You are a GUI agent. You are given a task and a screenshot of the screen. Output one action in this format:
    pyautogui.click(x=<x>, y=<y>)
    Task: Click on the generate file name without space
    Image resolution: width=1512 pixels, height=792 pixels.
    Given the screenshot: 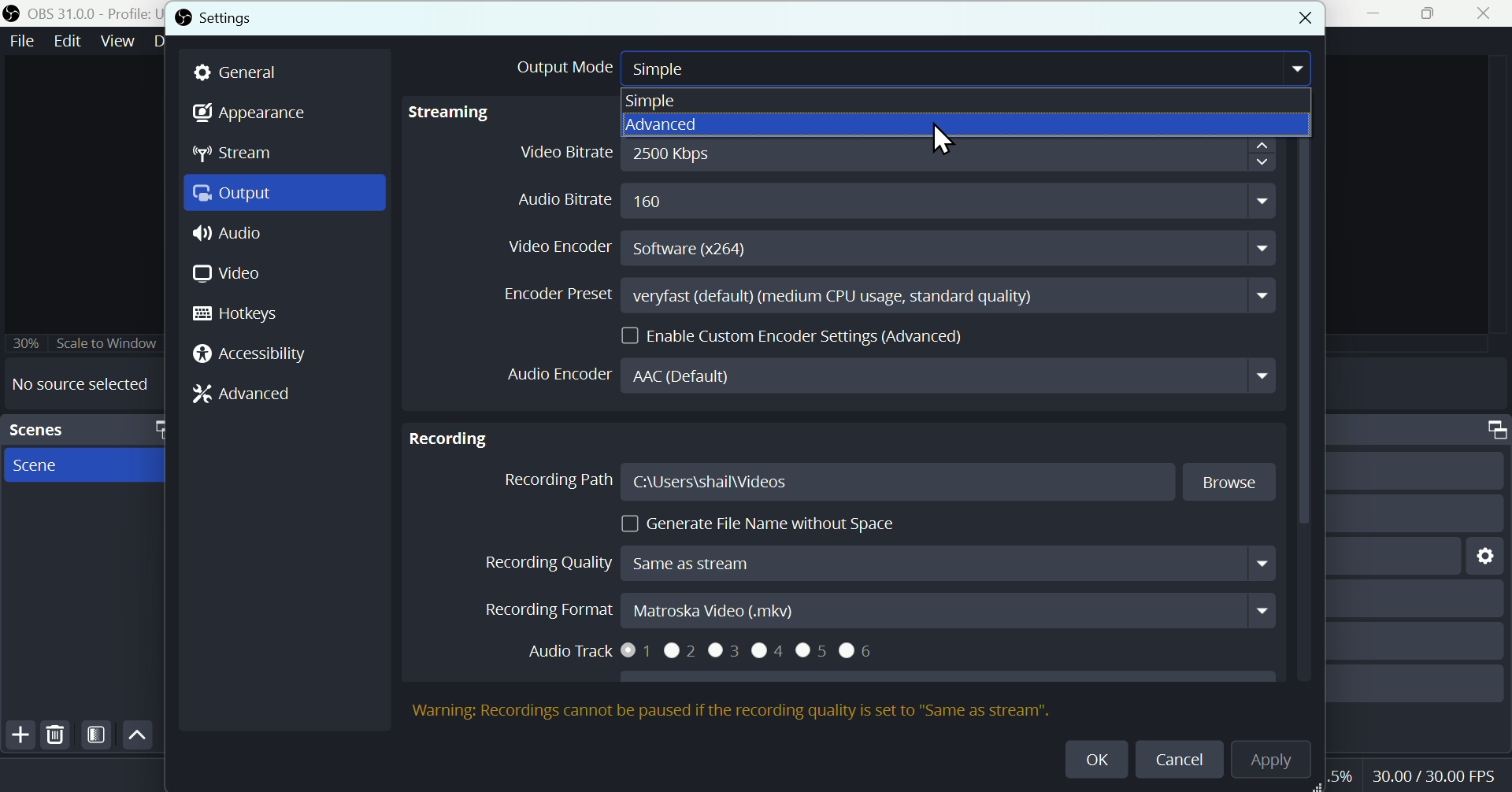 What is the action you would take?
    pyautogui.click(x=751, y=519)
    